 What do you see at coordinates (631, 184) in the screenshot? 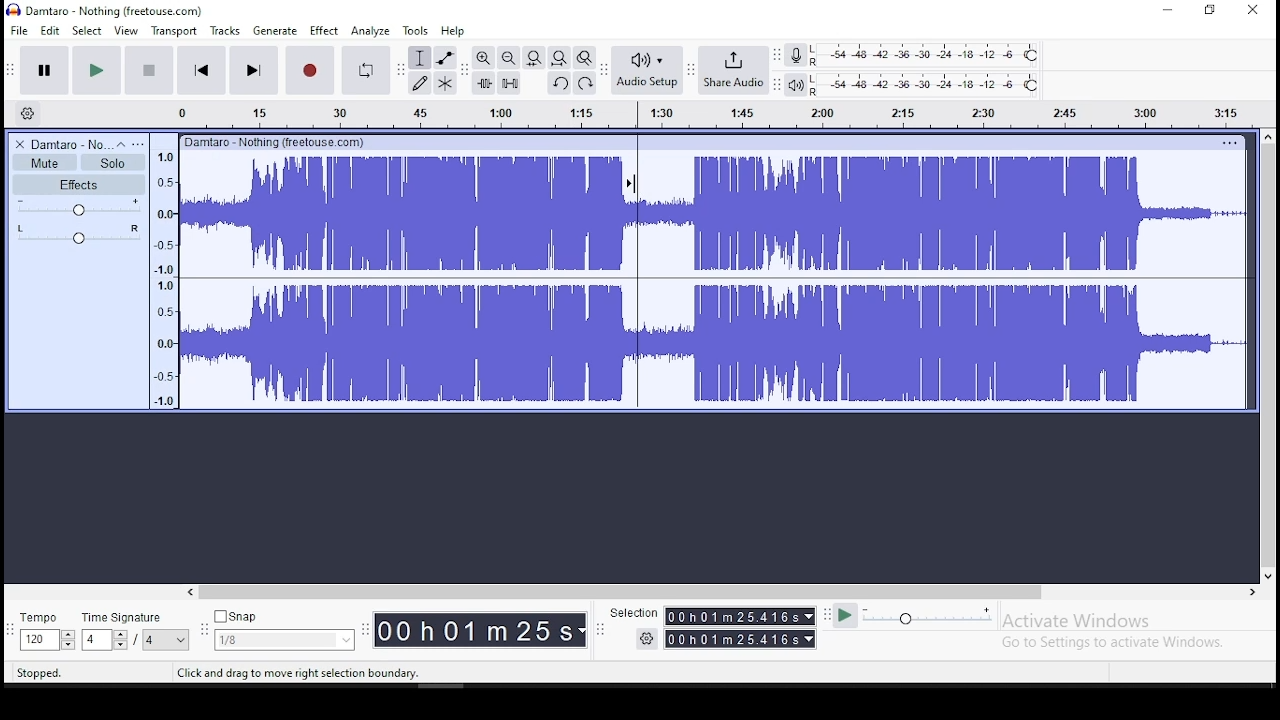
I see `cursor` at bounding box center [631, 184].